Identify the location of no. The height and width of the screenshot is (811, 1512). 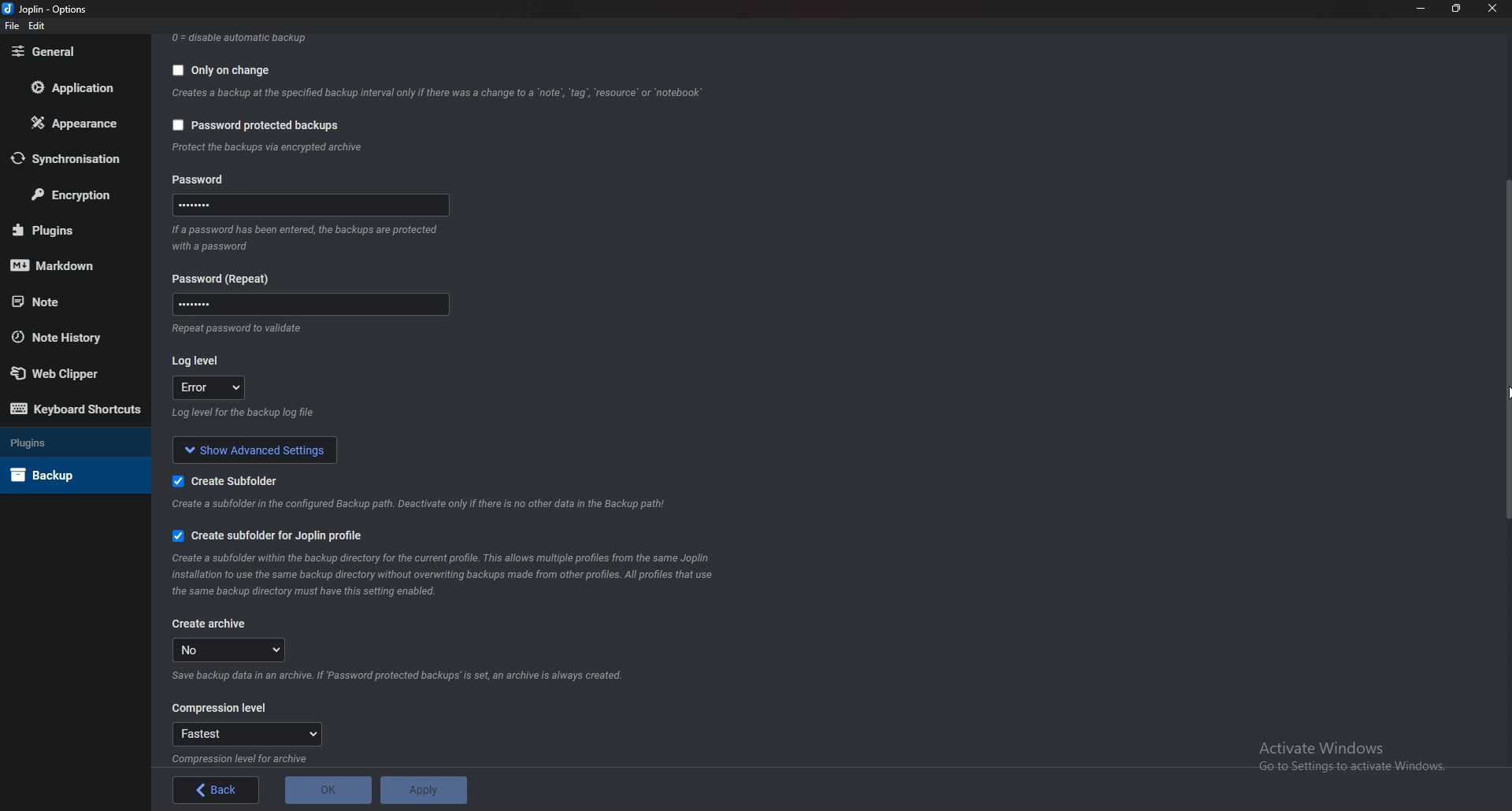
(230, 649).